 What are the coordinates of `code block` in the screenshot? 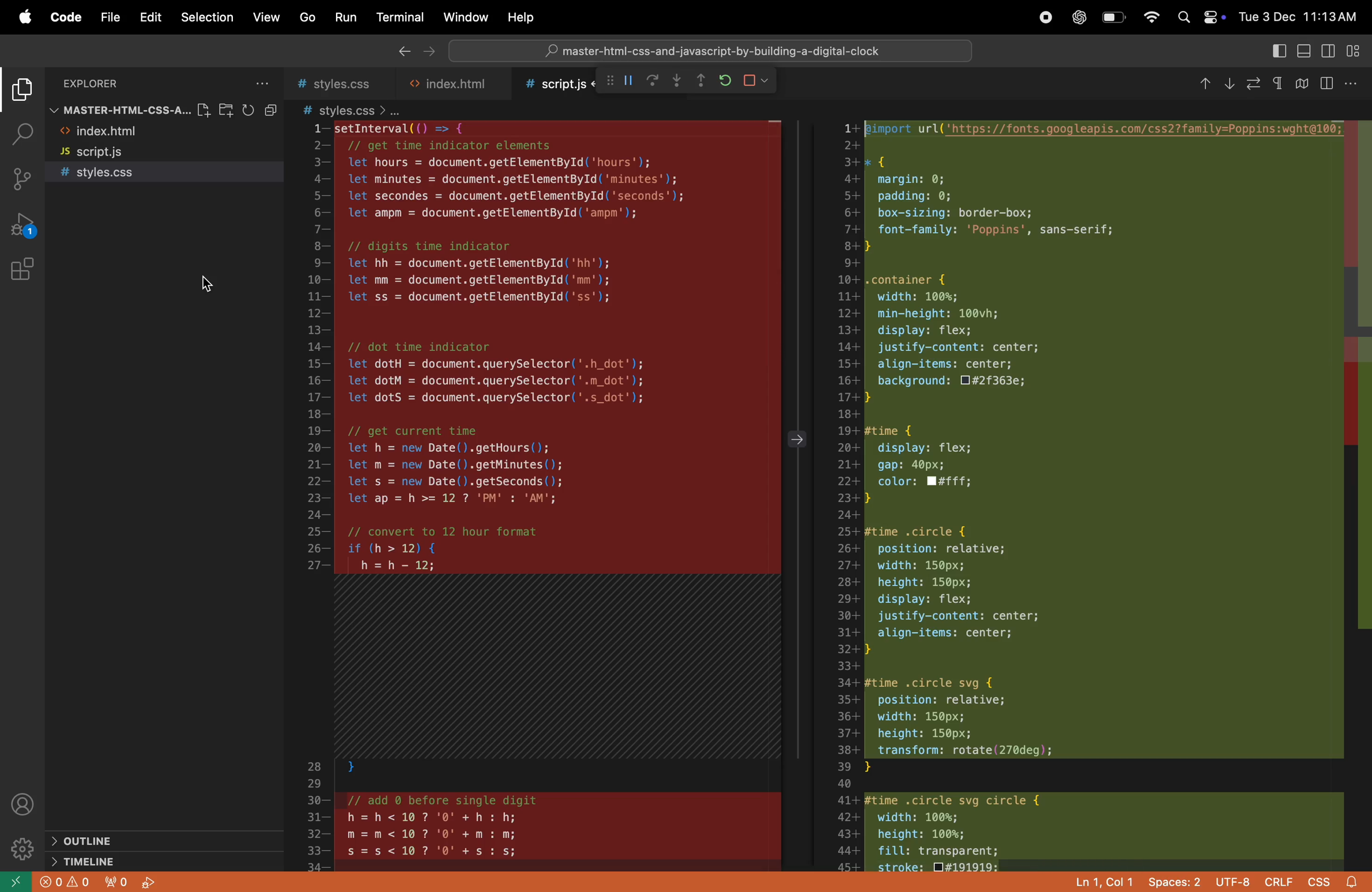 It's located at (1103, 494).